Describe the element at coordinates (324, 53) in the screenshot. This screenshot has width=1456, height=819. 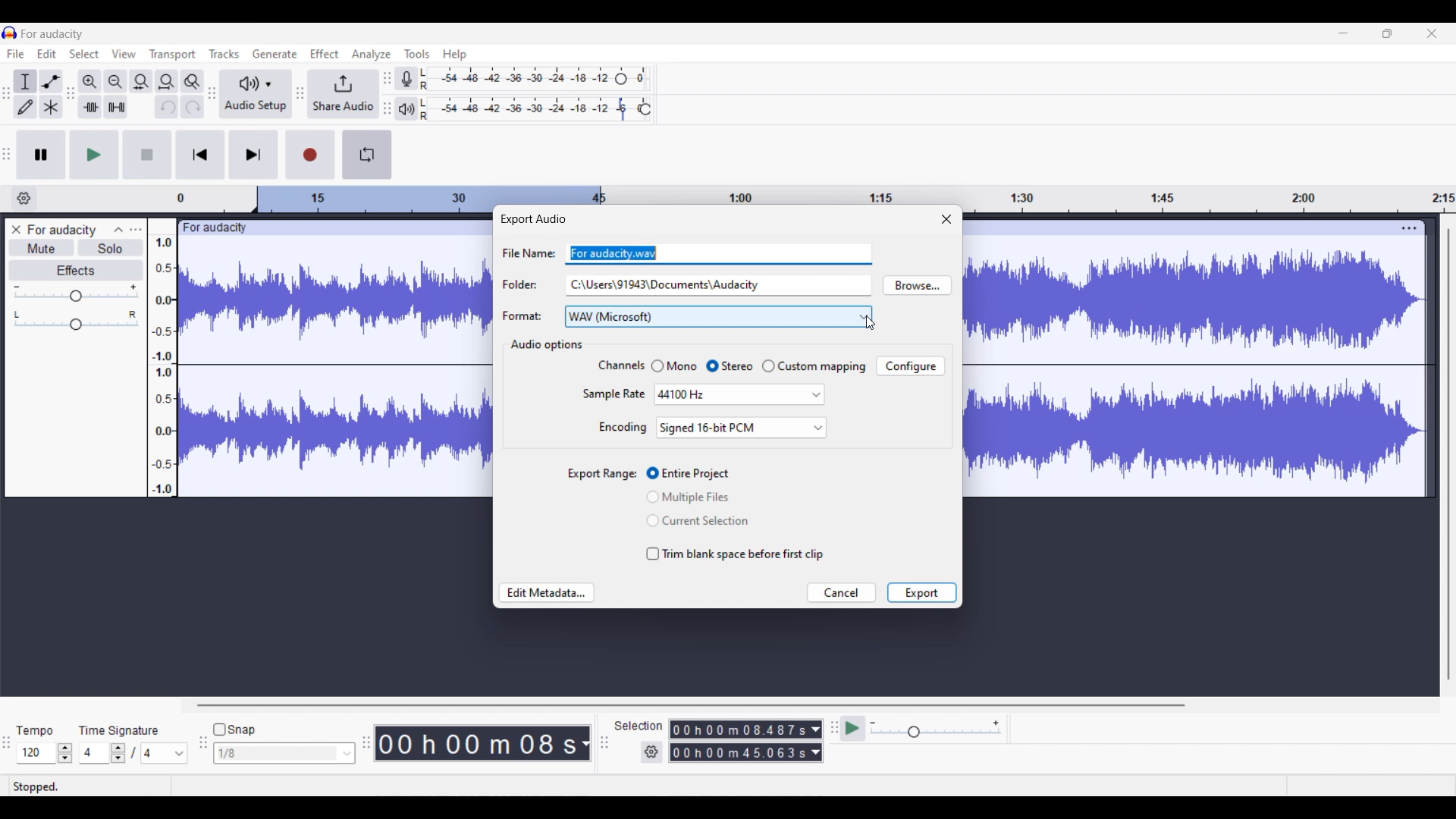
I see `Effect menu` at that location.